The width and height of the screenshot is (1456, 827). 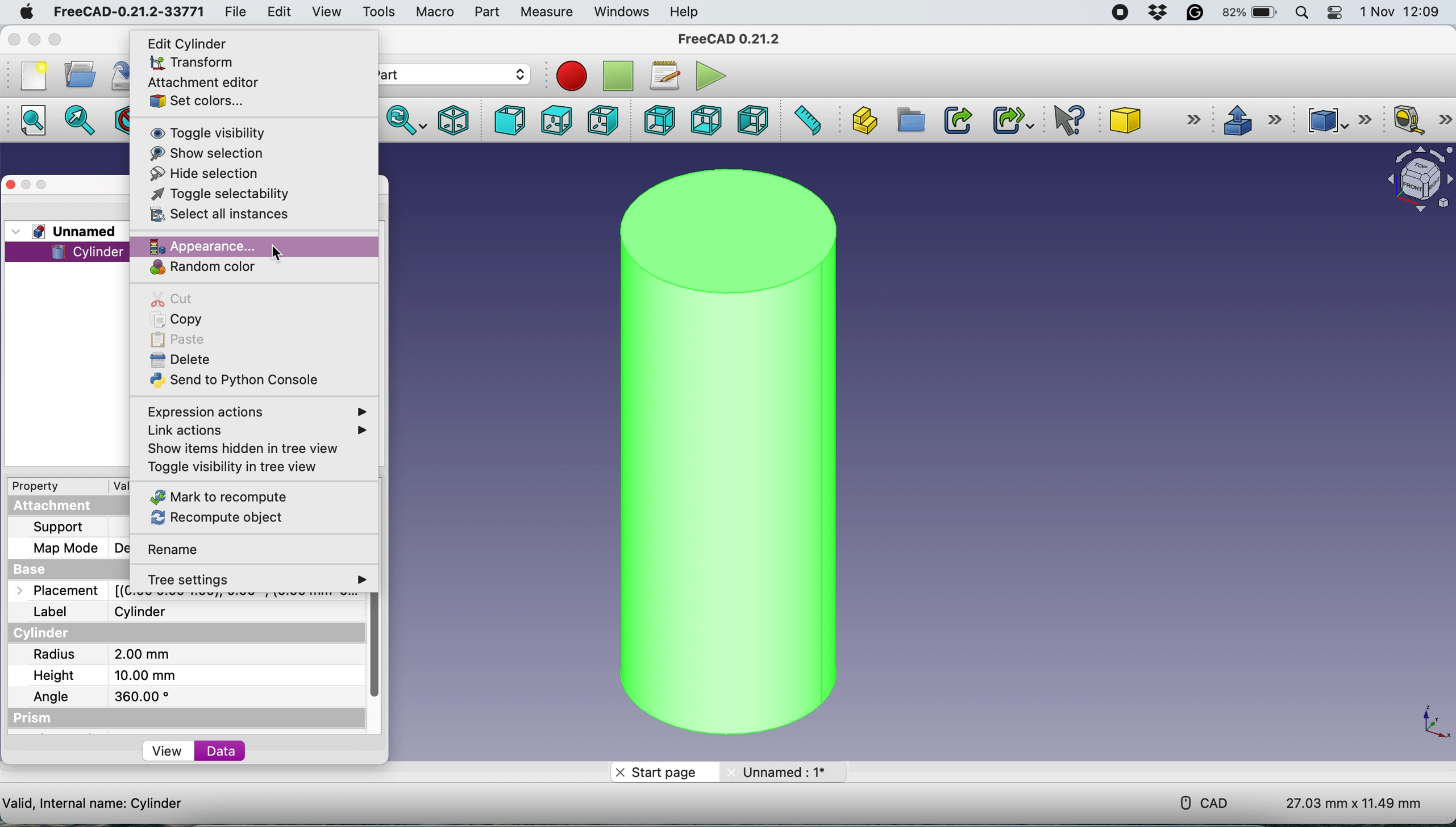 What do you see at coordinates (217, 193) in the screenshot?
I see `toggle selectability` at bounding box center [217, 193].